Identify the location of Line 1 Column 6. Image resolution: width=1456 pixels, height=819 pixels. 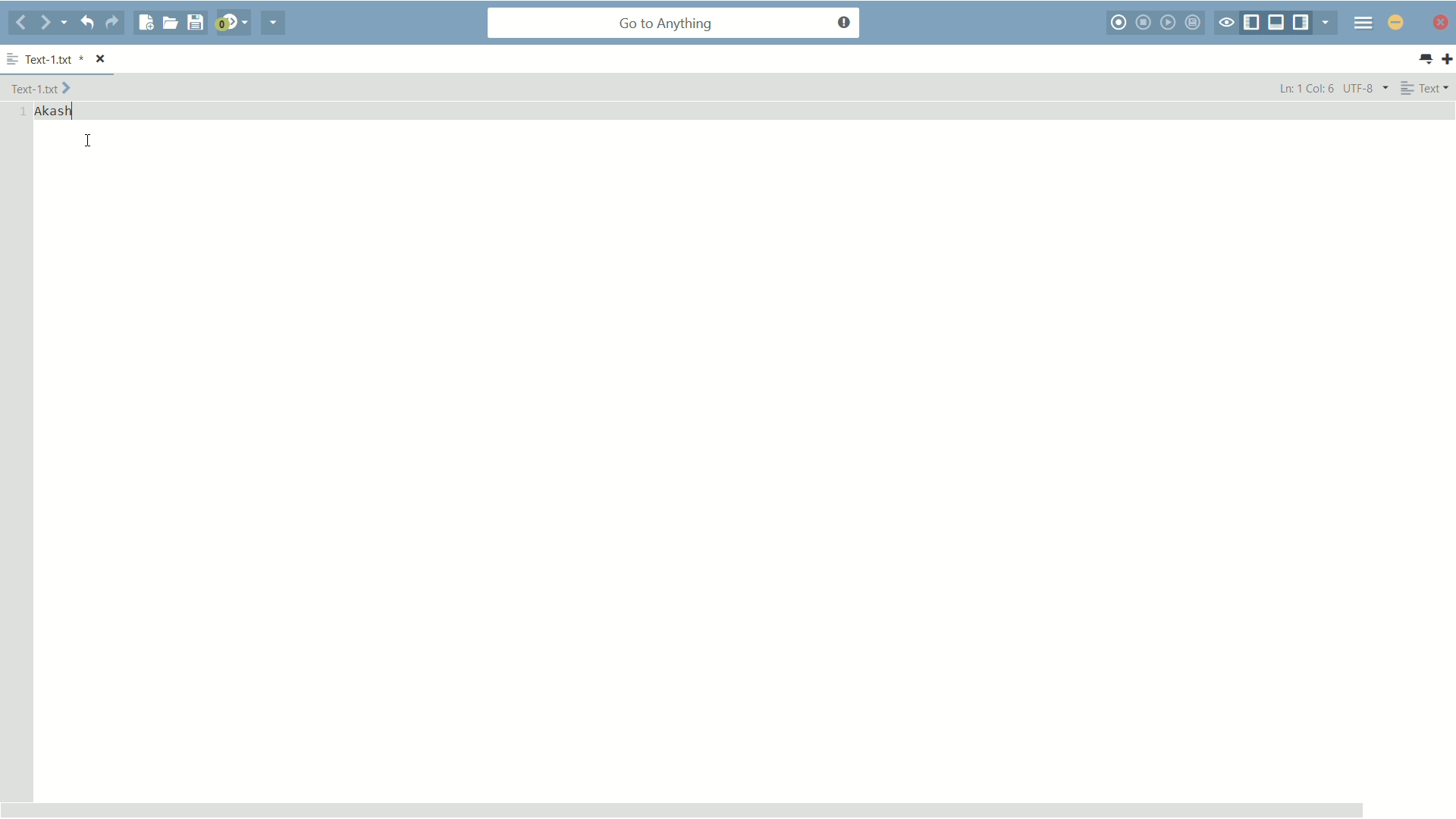
(1304, 87).